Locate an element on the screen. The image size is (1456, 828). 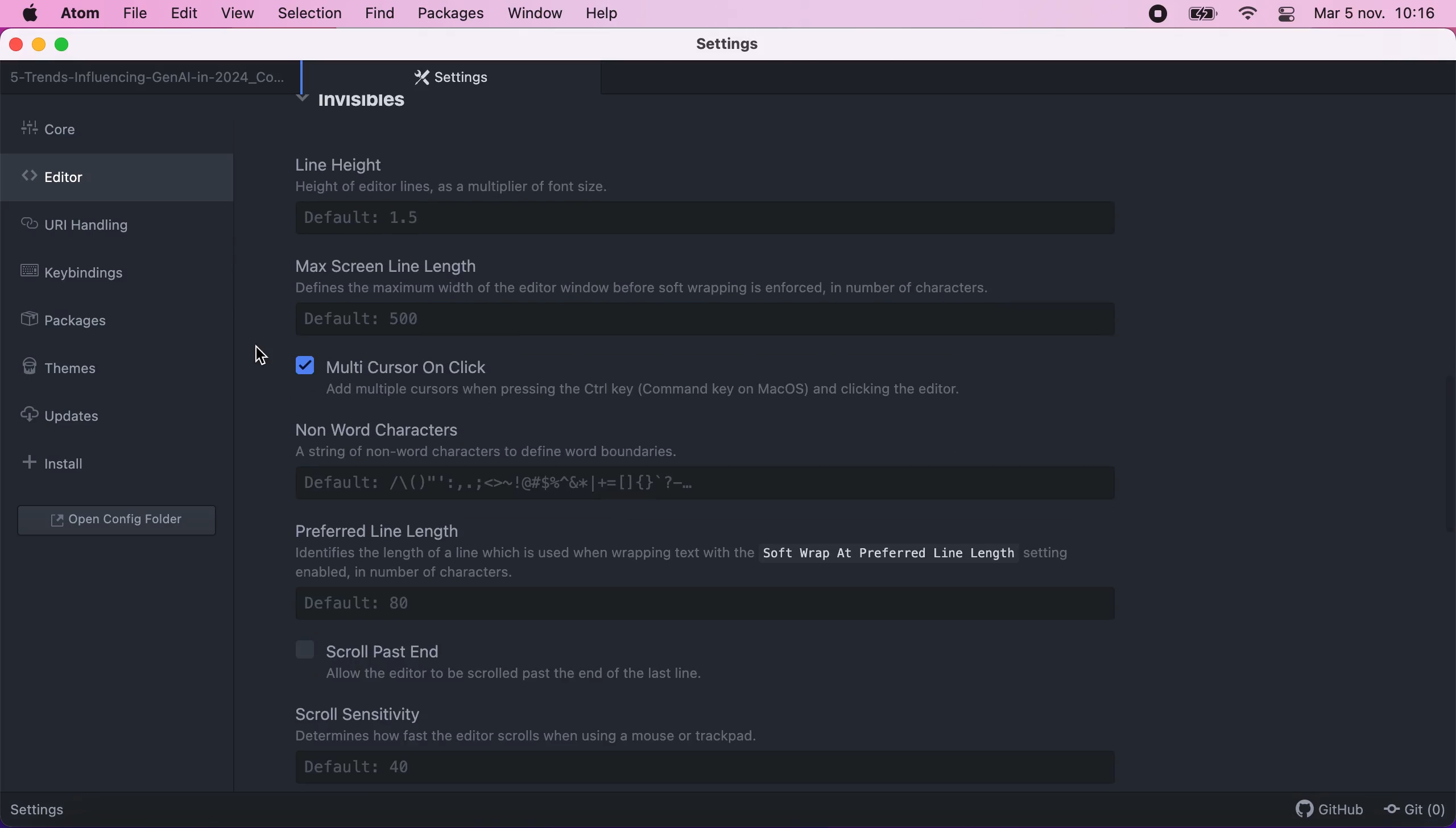
mac logo is located at coordinates (29, 14).